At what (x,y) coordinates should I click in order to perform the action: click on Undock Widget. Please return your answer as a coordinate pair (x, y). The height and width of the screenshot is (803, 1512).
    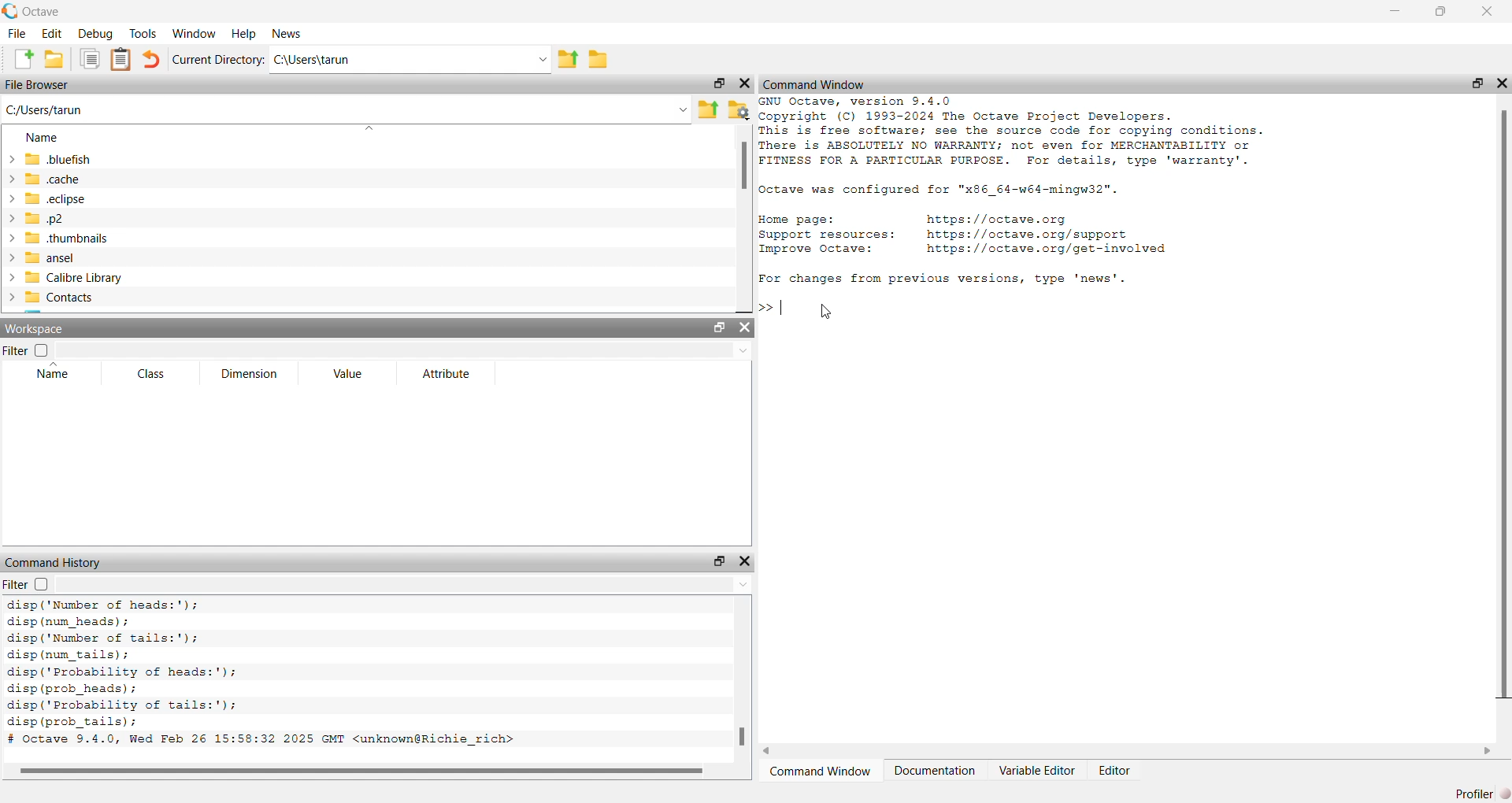
    Looking at the image, I should click on (1477, 83).